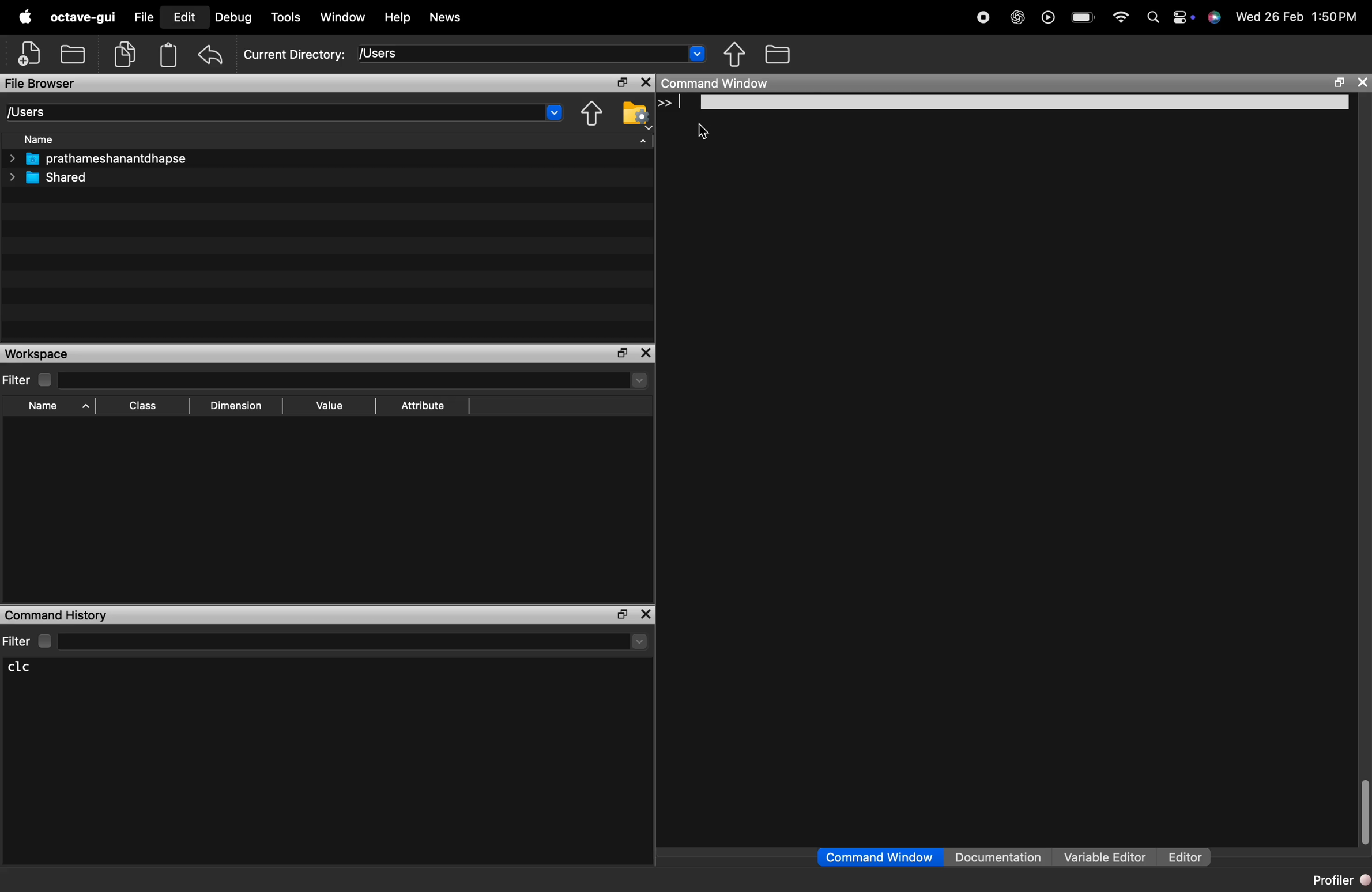 This screenshot has height=892, width=1372. Describe the element at coordinates (624, 354) in the screenshot. I see `Maximize` at that location.